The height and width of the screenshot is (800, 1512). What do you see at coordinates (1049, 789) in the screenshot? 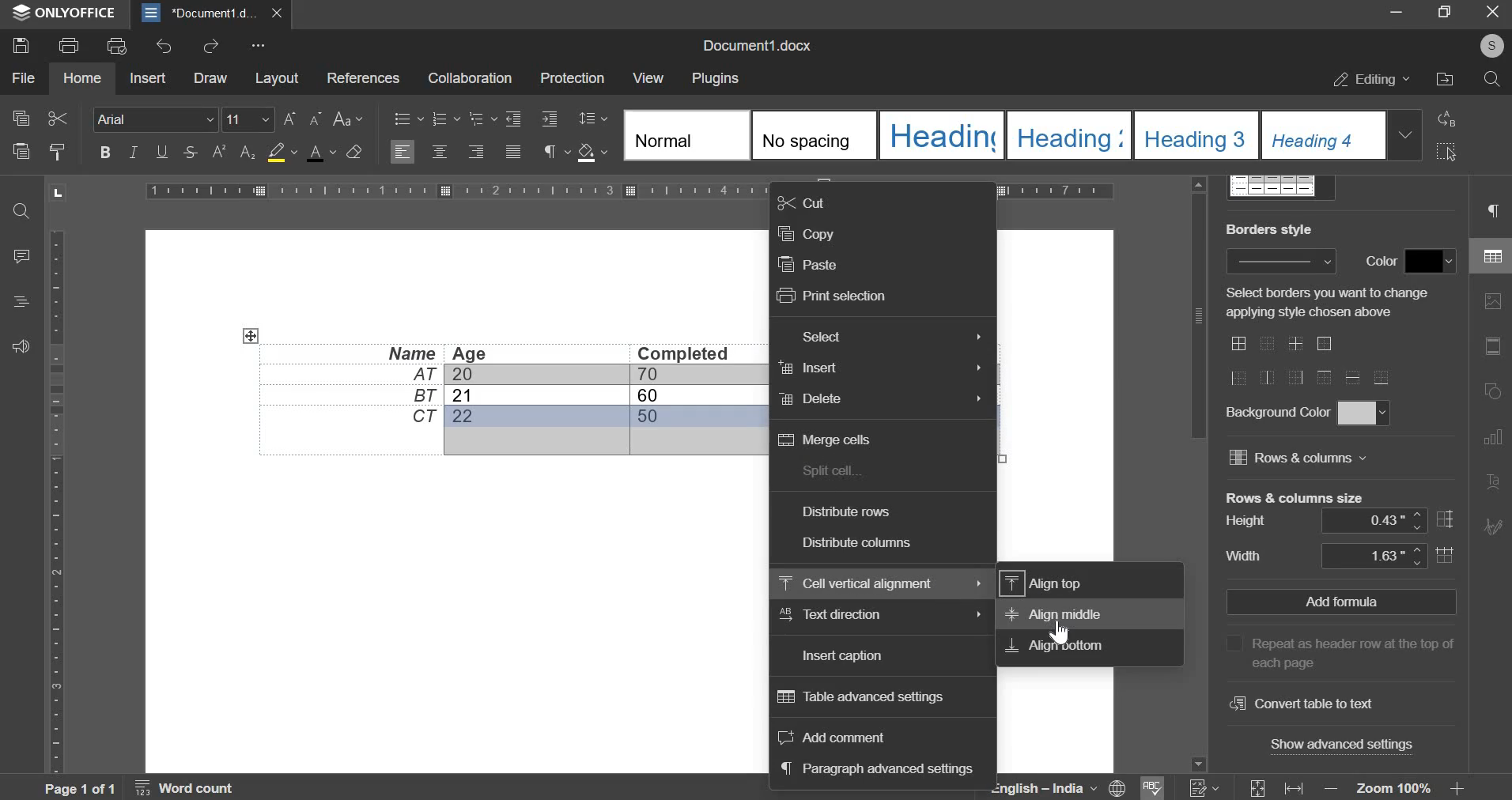
I see `language` at bounding box center [1049, 789].